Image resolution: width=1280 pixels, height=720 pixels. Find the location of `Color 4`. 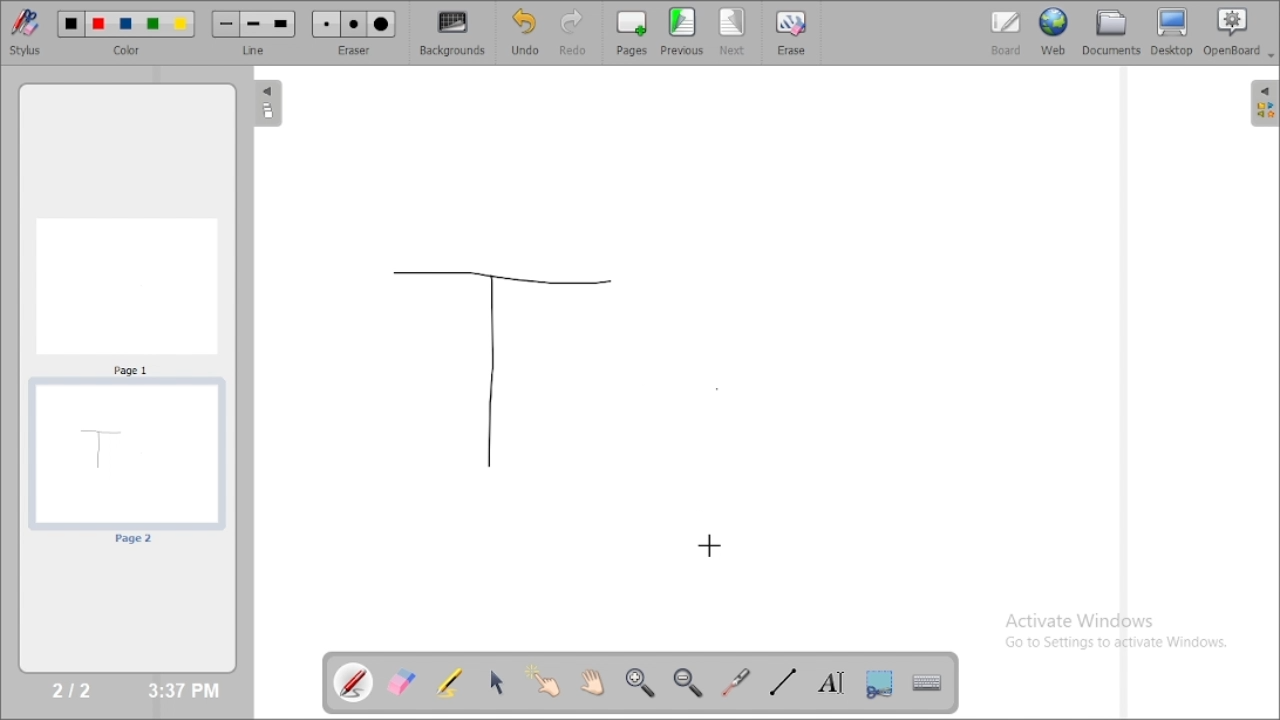

Color 4 is located at coordinates (153, 25).